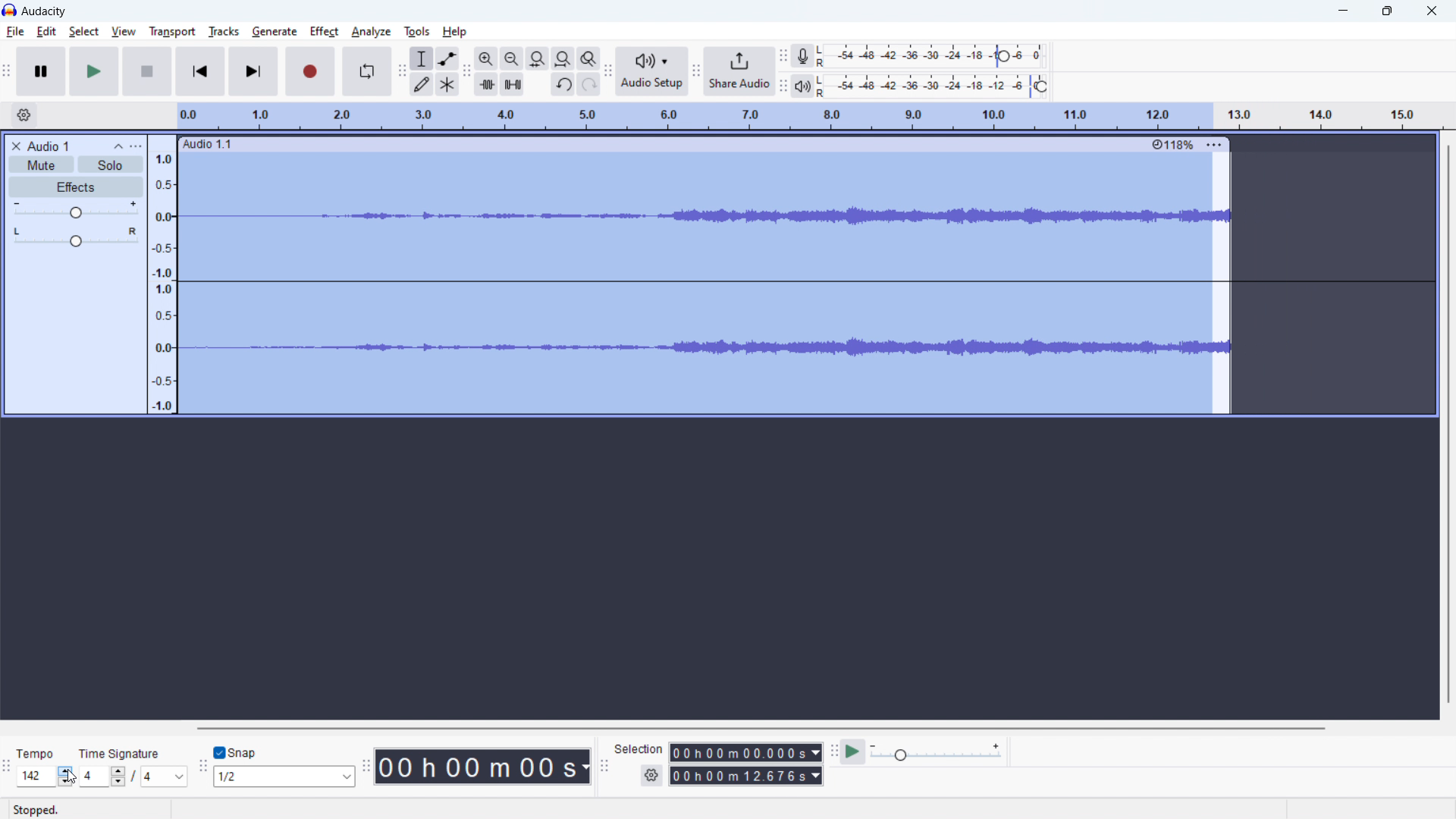 This screenshot has height=819, width=1456. What do you see at coordinates (745, 776) in the screenshot?
I see `end time` at bounding box center [745, 776].